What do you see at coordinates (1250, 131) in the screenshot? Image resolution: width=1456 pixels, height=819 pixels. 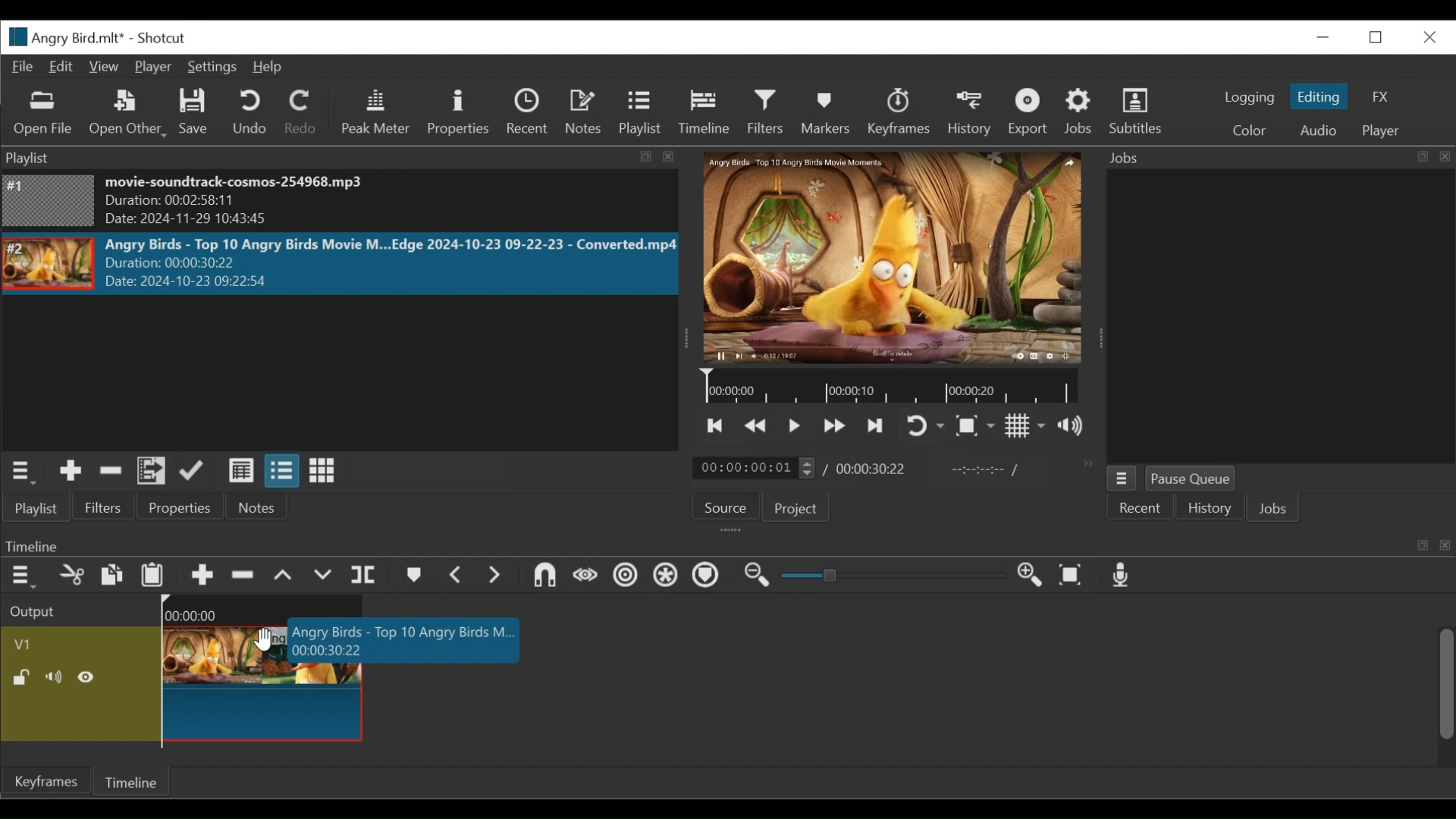 I see `Color` at bounding box center [1250, 131].